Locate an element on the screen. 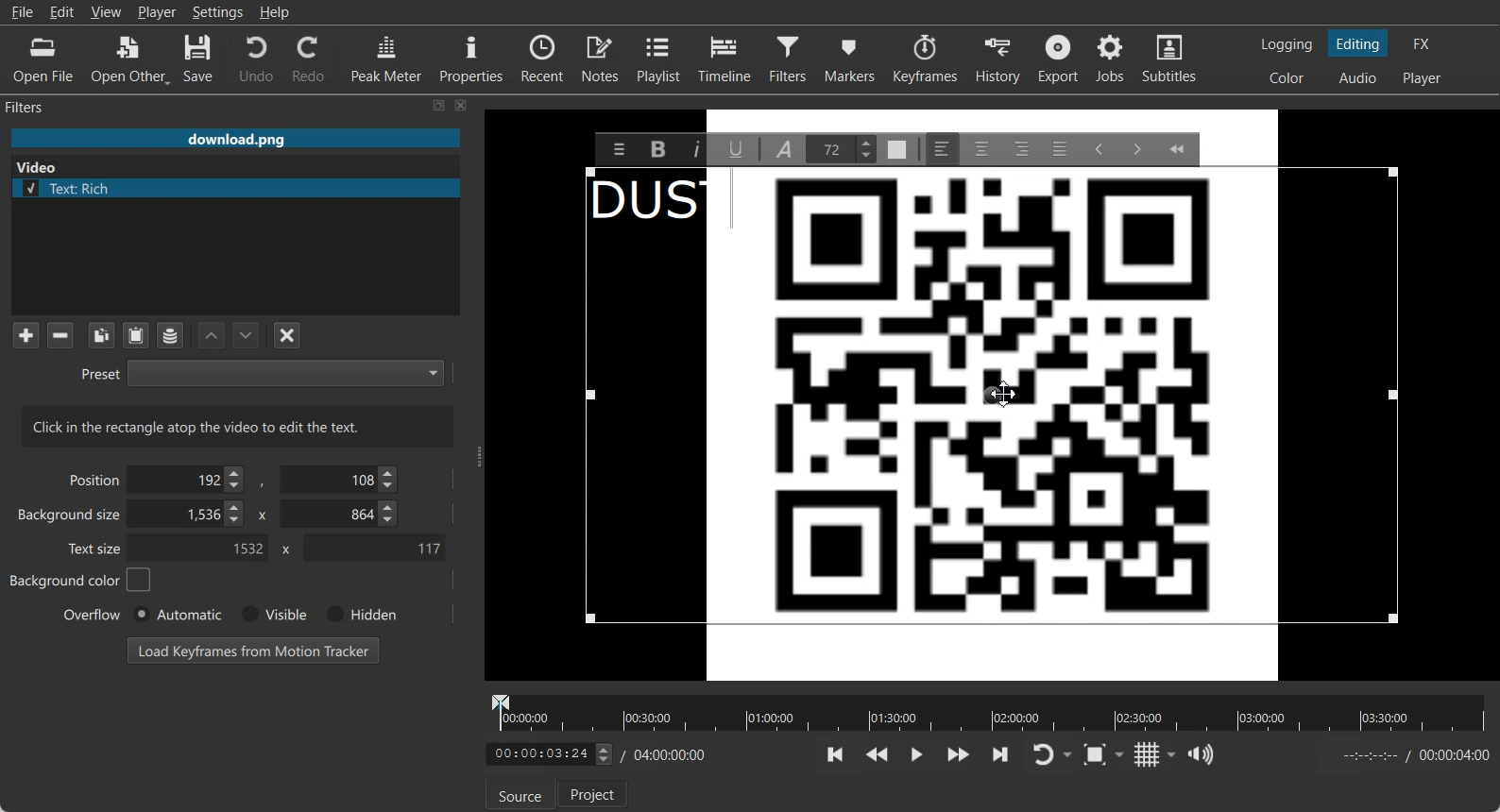 Image resolution: width=1500 pixels, height=812 pixels. Edit is located at coordinates (62, 11).